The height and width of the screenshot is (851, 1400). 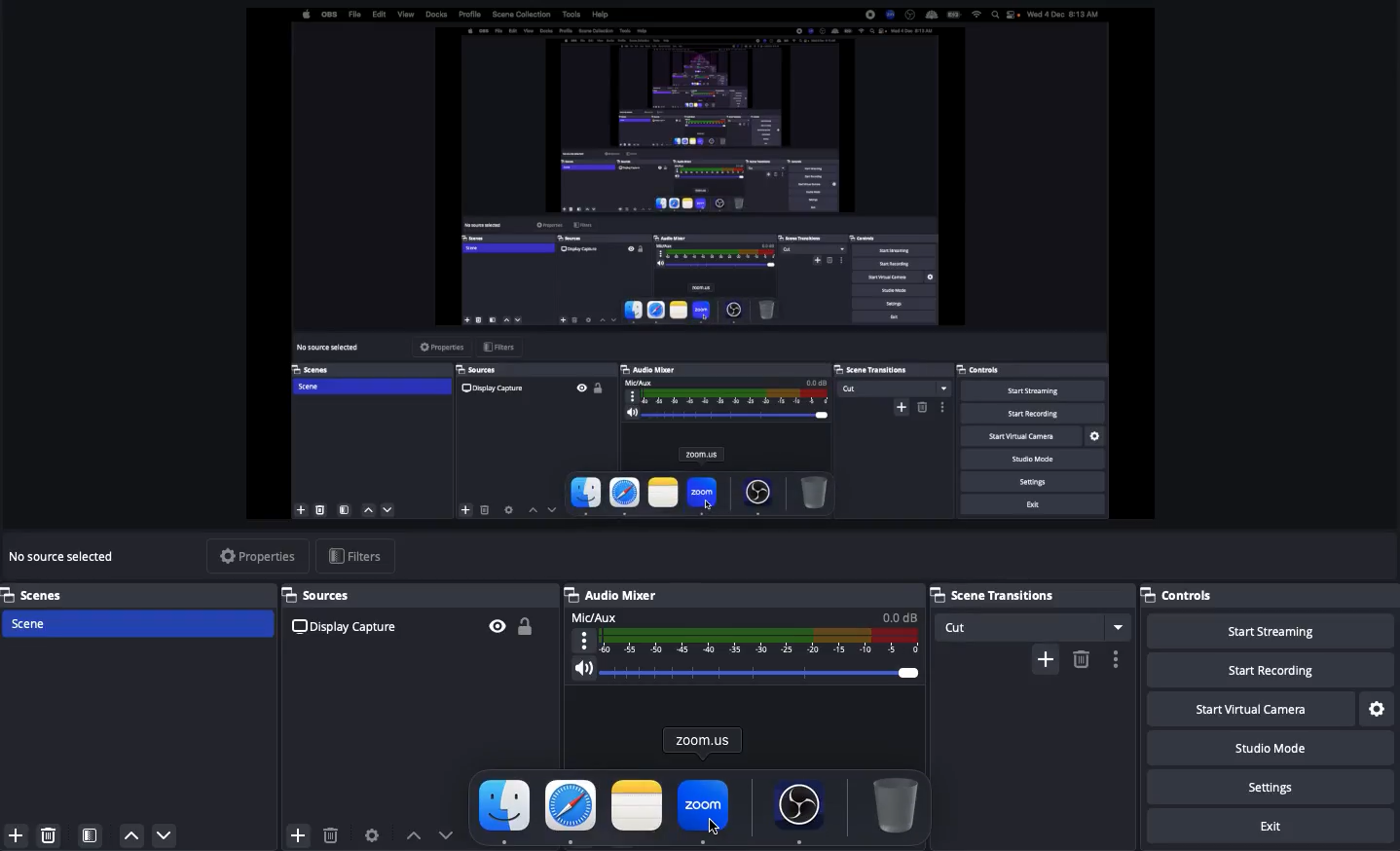 What do you see at coordinates (1033, 624) in the screenshot?
I see `Cut` at bounding box center [1033, 624].